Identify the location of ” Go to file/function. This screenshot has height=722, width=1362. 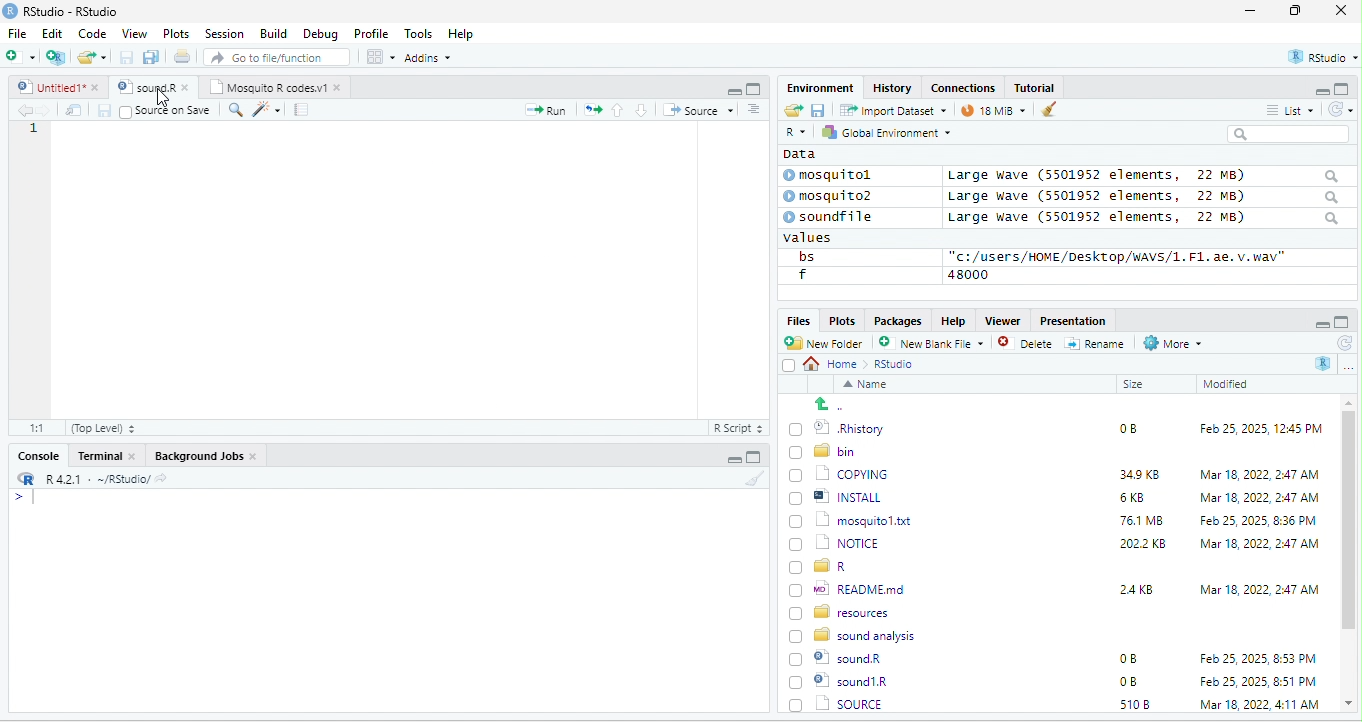
(278, 59).